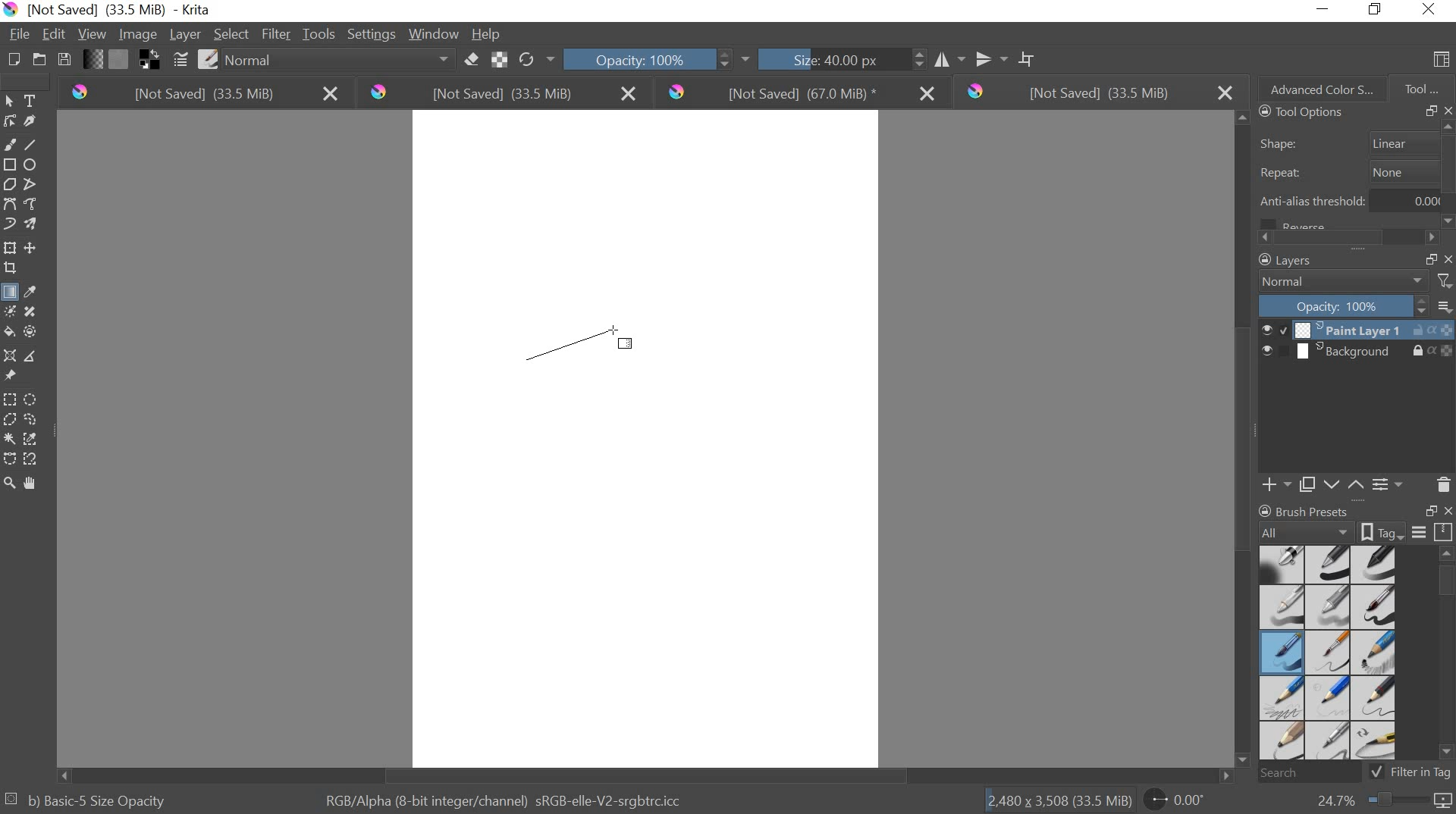  Describe the element at coordinates (800, 92) in the screenshot. I see `[not saved] (67.0 mb)` at that location.